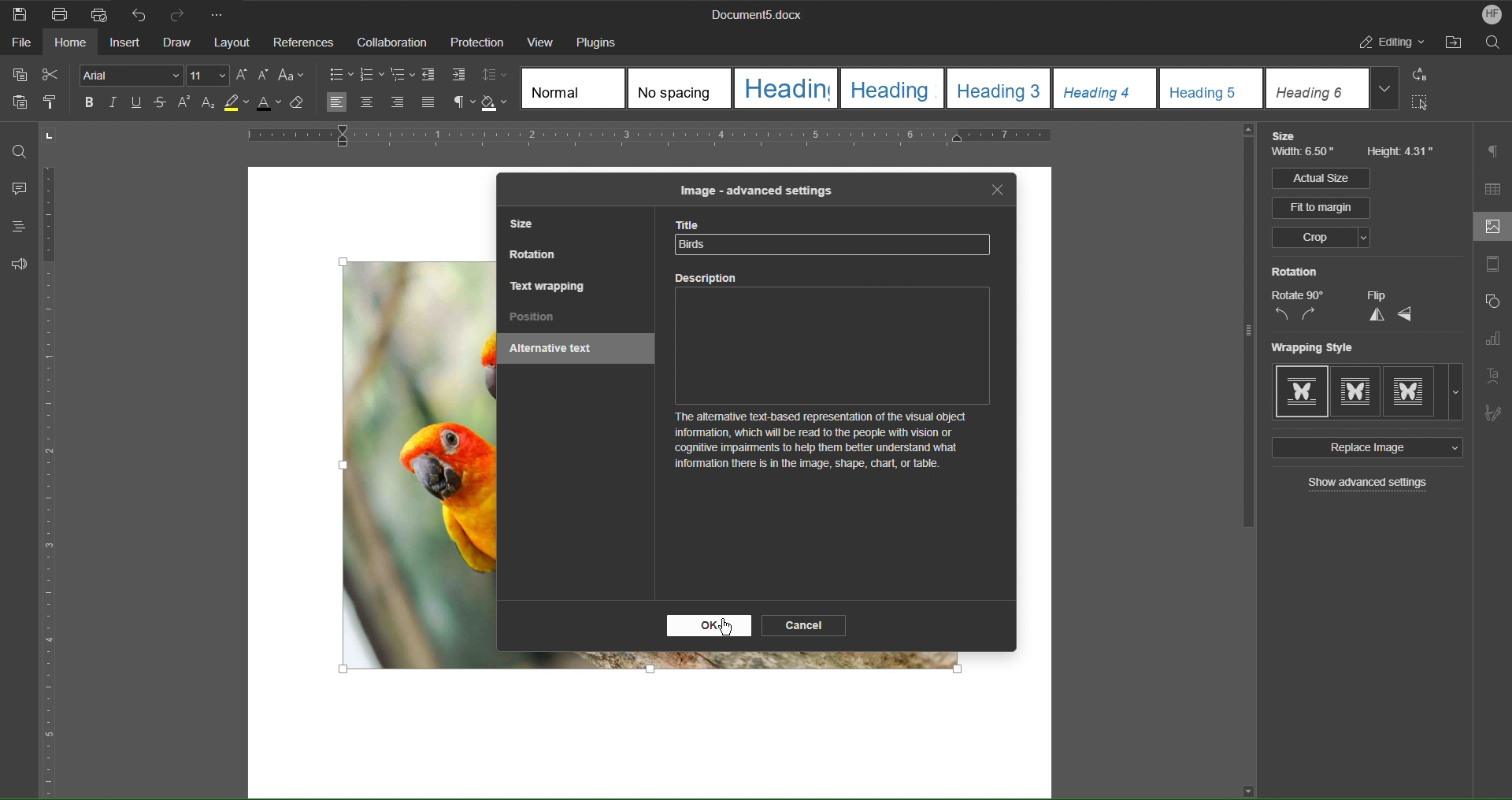  I want to click on OK, so click(710, 626).